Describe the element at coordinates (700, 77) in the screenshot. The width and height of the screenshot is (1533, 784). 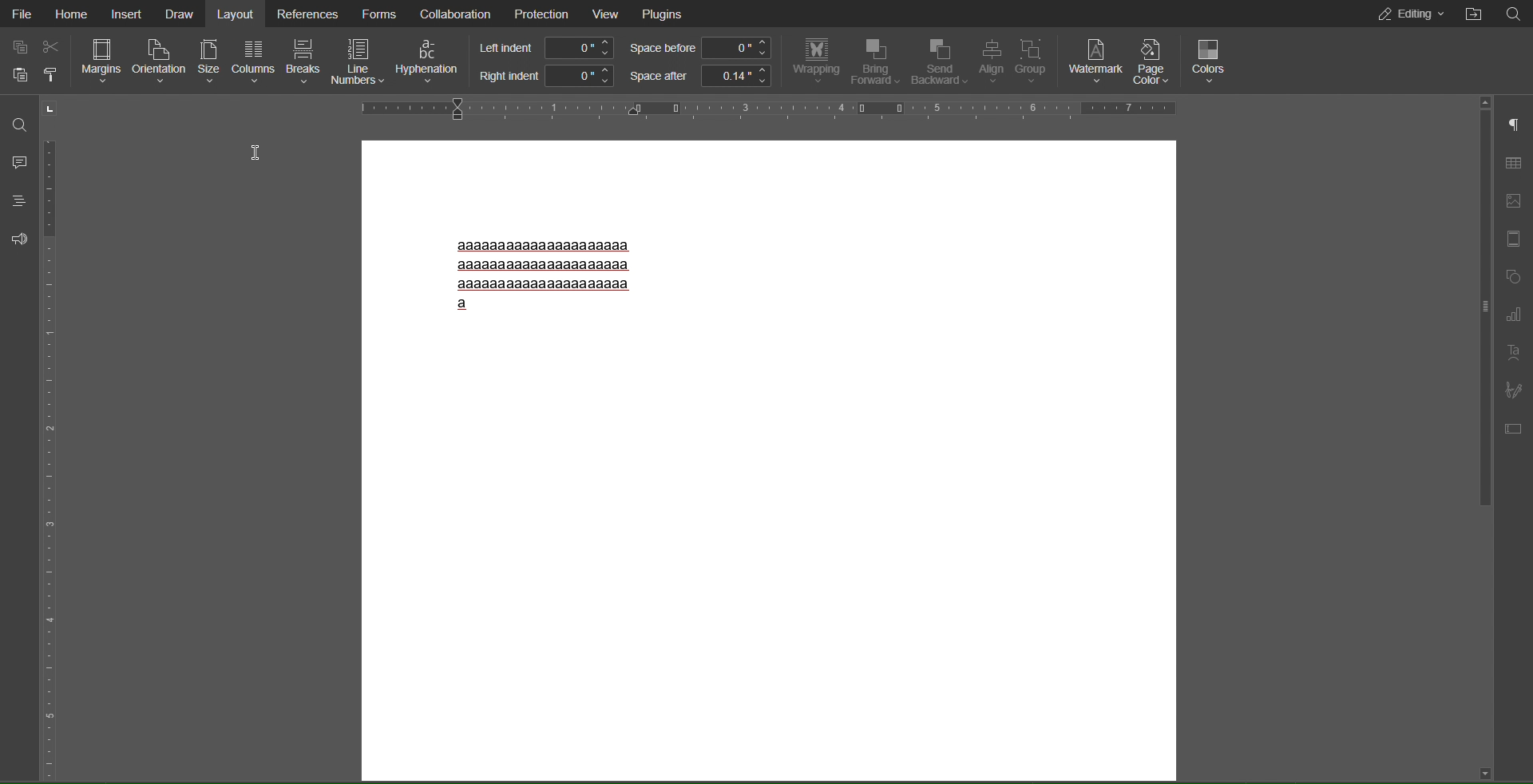
I see `Spaces After` at that location.